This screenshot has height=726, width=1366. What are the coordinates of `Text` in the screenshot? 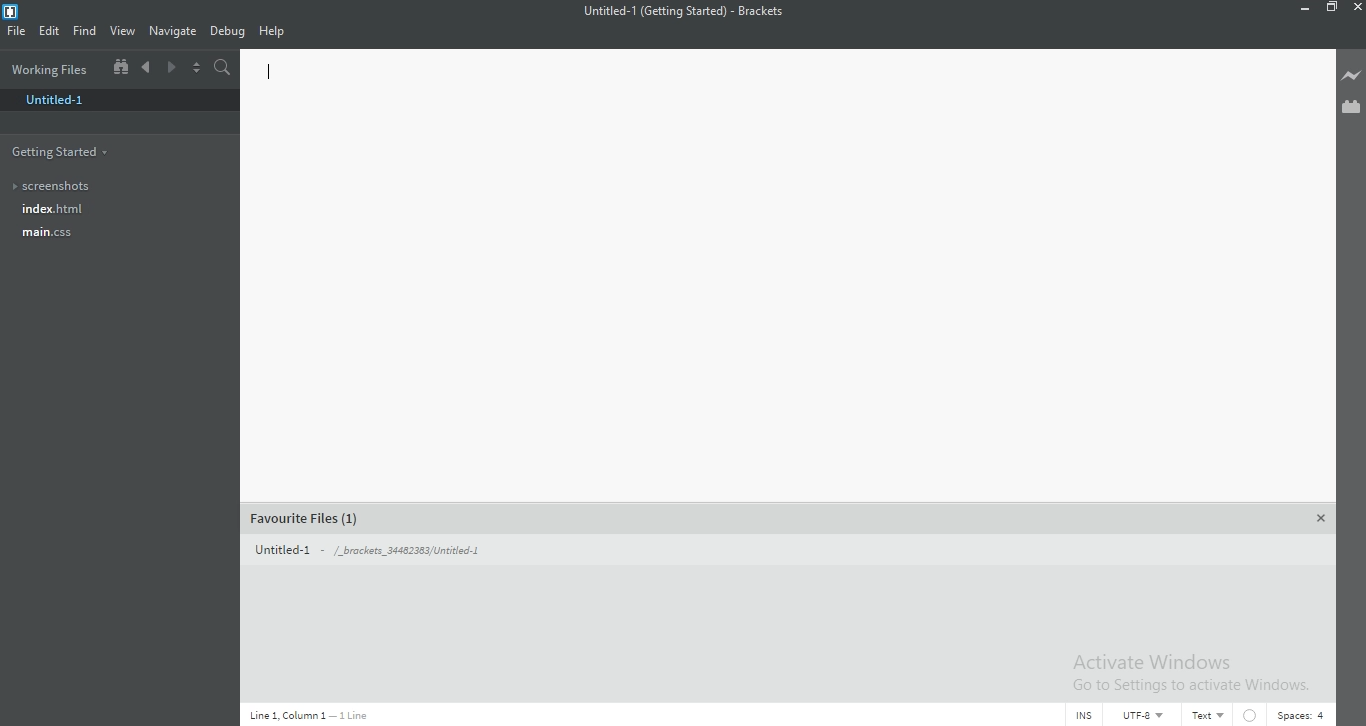 It's located at (1207, 717).